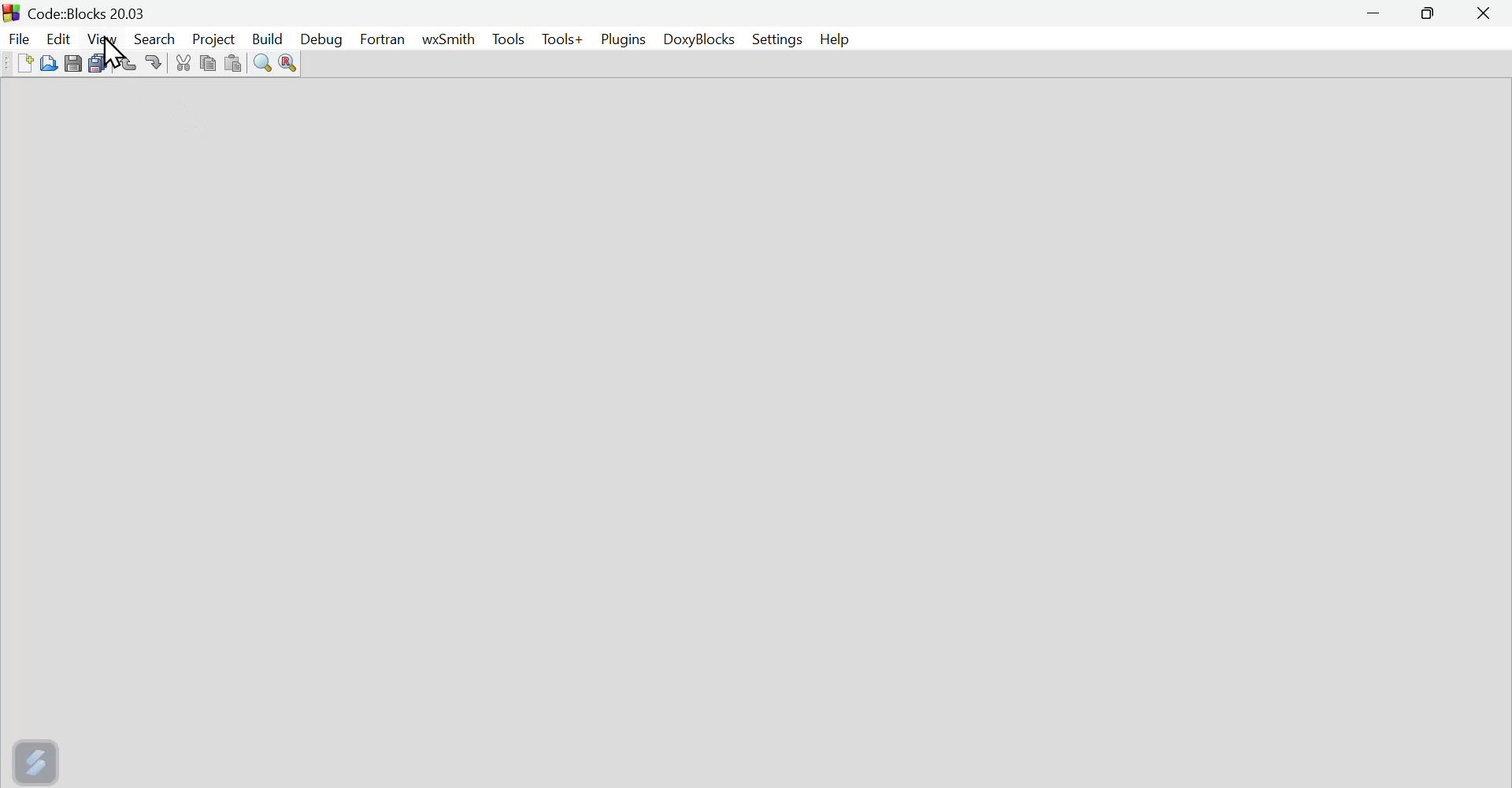 The width and height of the screenshot is (1512, 788). I want to click on Open, so click(46, 62).